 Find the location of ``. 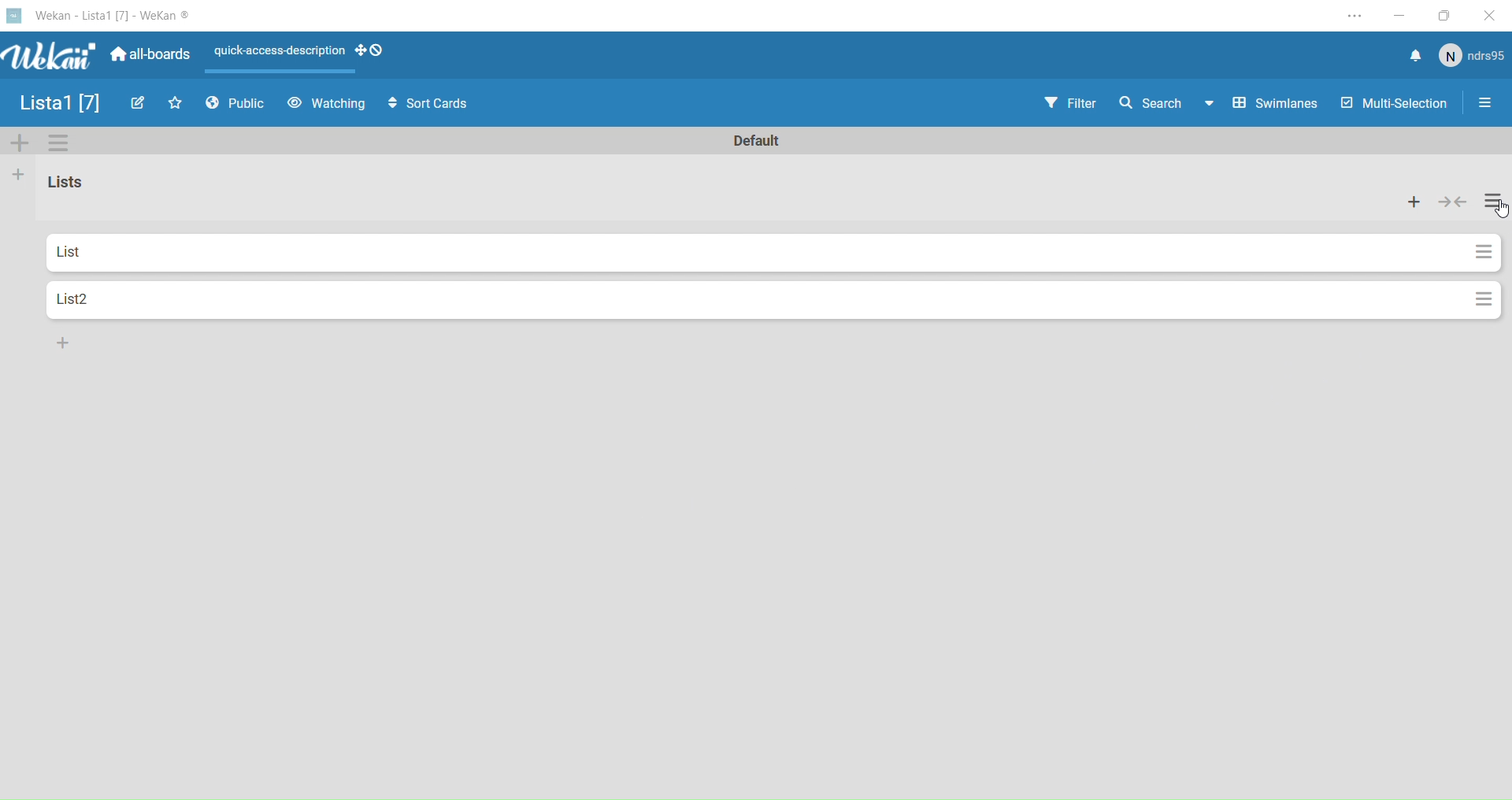

 is located at coordinates (754, 302).